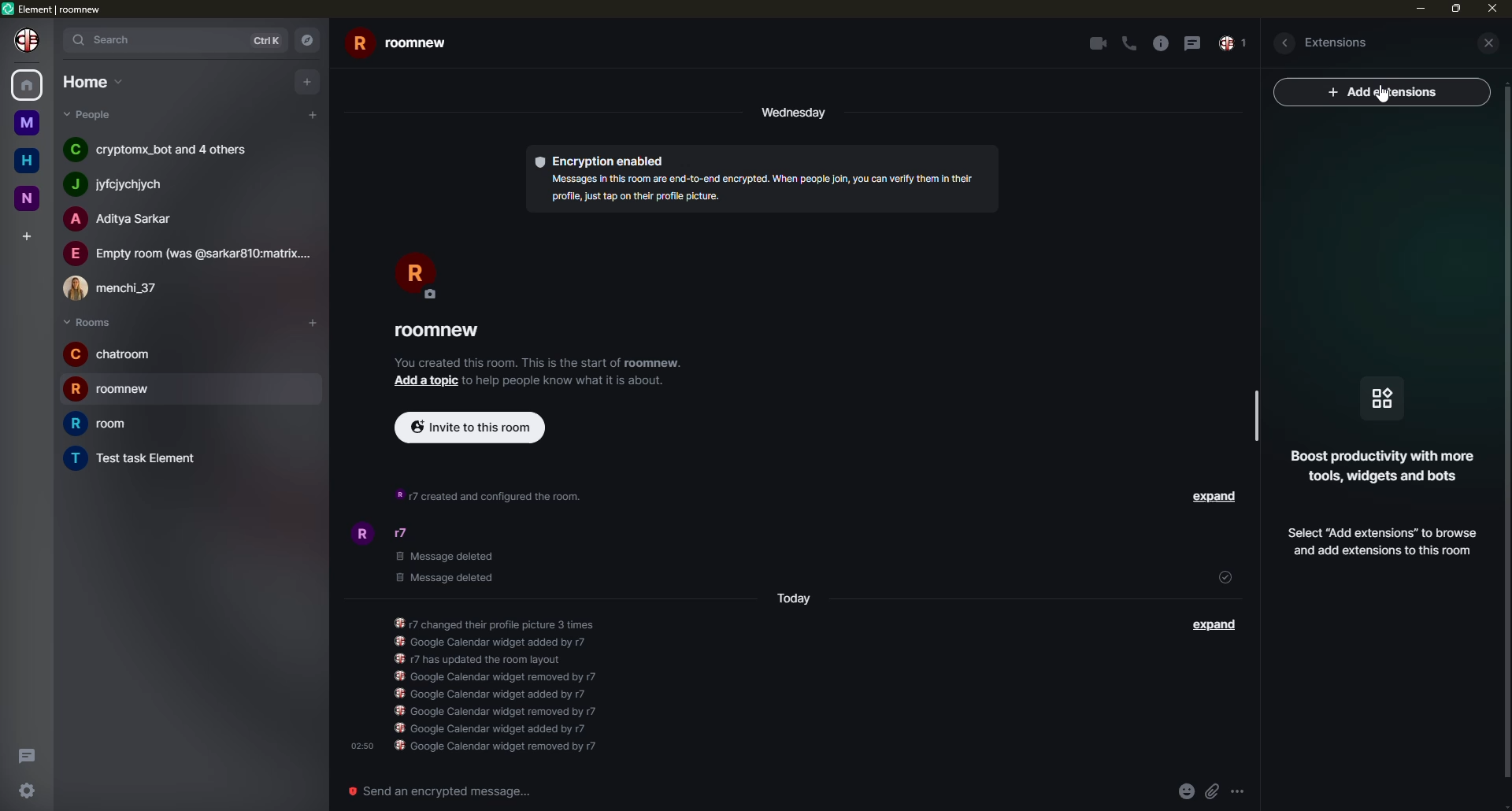  What do you see at coordinates (446, 567) in the screenshot?
I see `deleted` at bounding box center [446, 567].